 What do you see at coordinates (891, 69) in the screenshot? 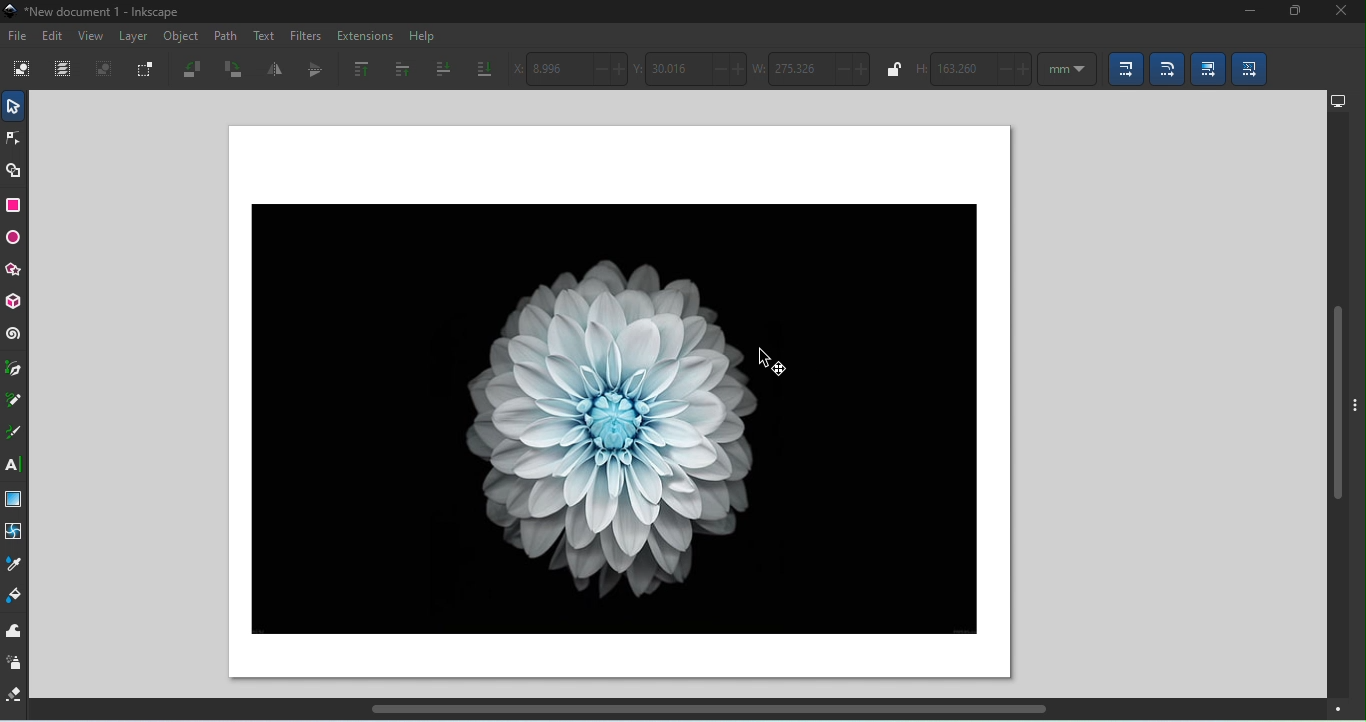
I see `When locked, change width and height by the same propotion` at bounding box center [891, 69].